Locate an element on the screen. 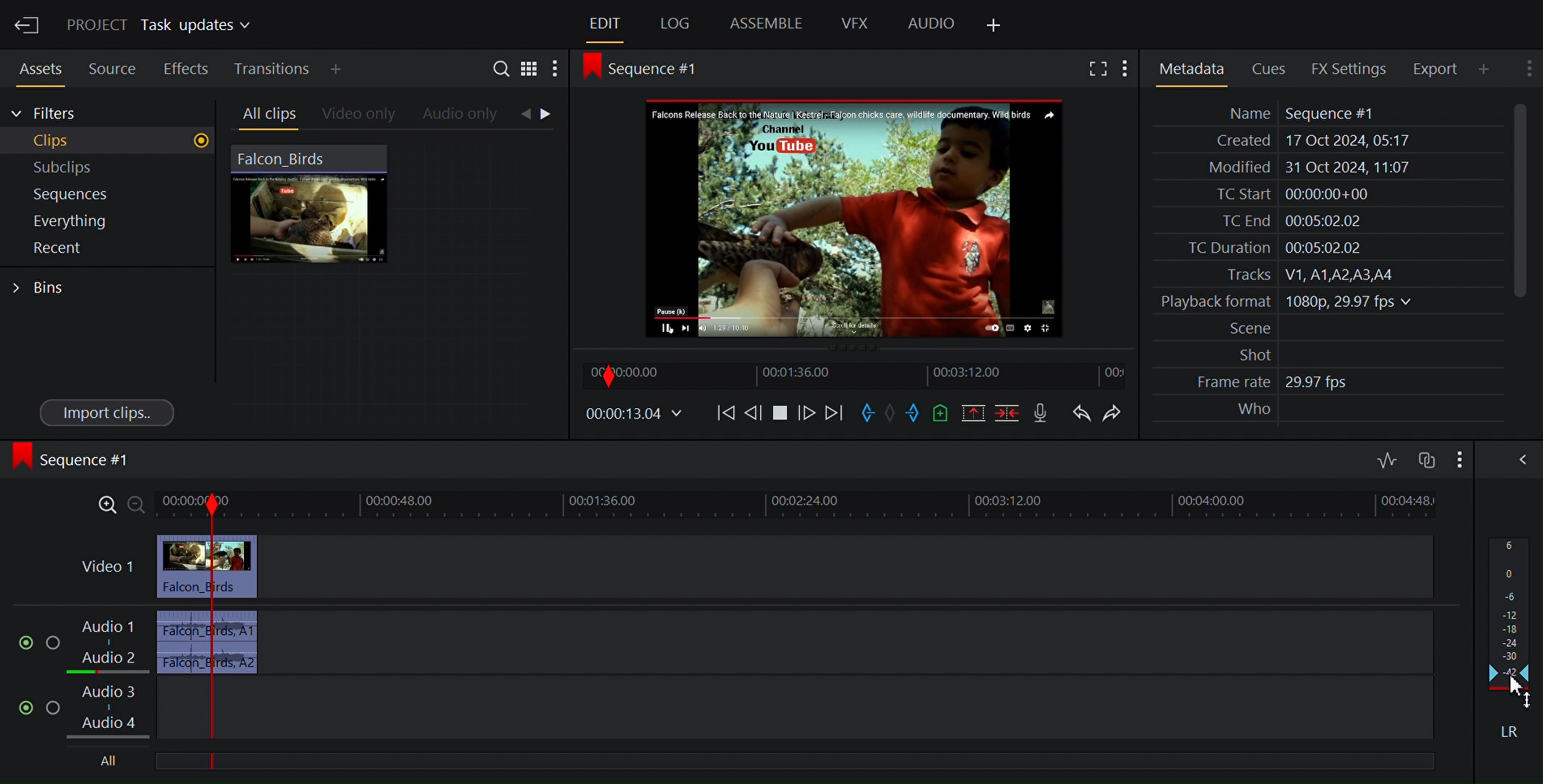 This screenshot has height=784, width=1543. VFX is located at coordinates (855, 24).